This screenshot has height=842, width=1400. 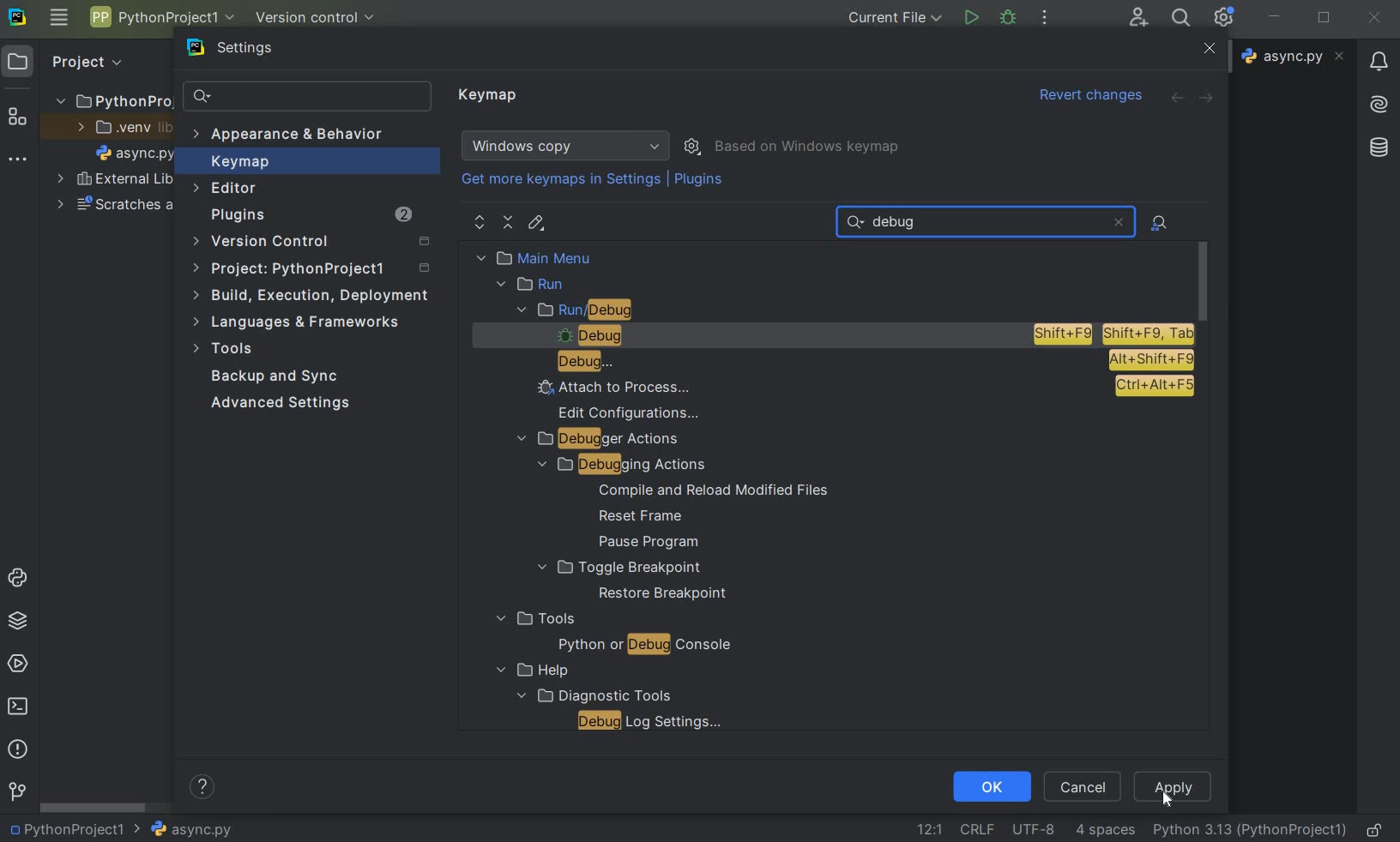 I want to click on project icon, so click(x=18, y=60).